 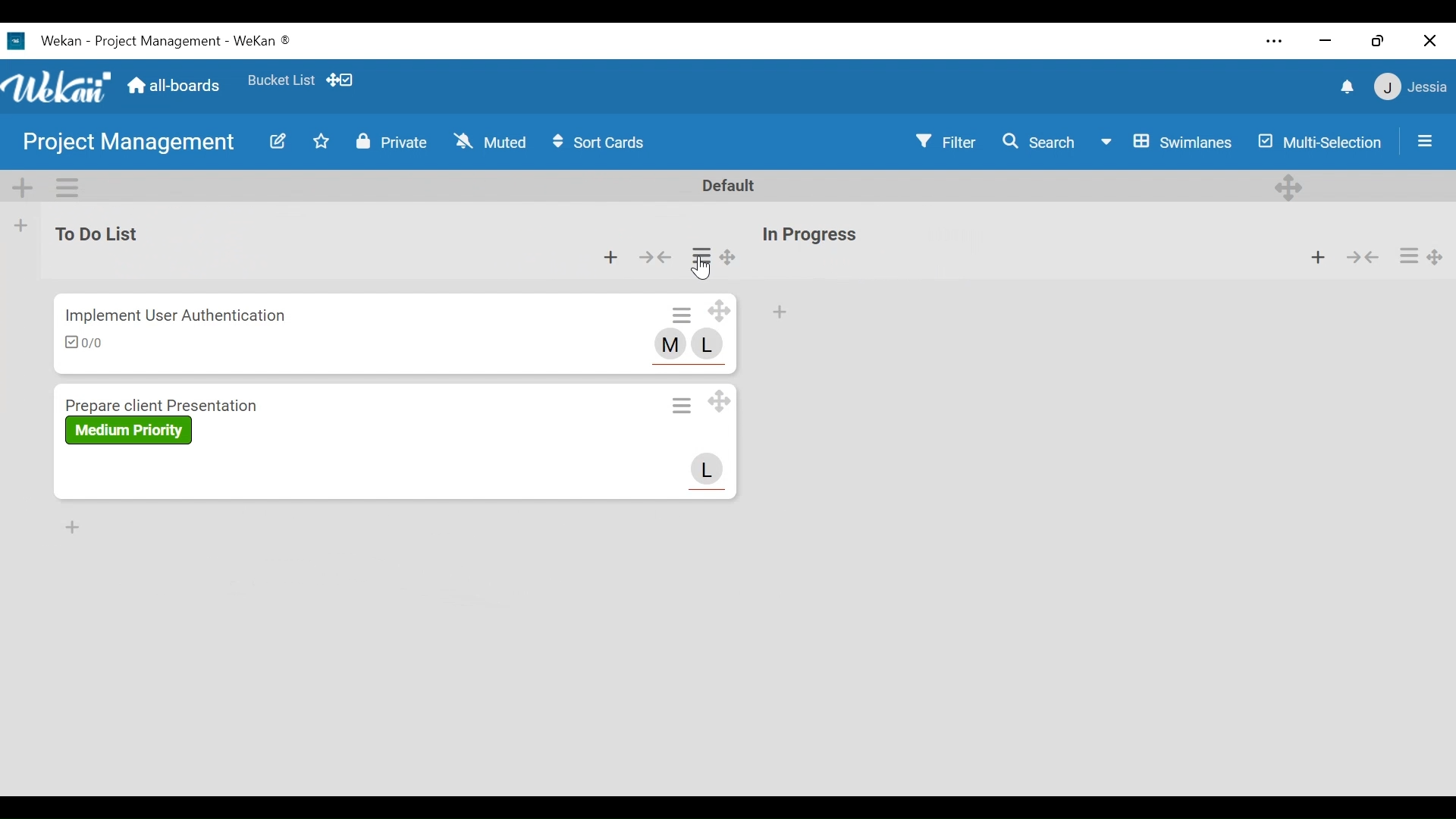 I want to click on Default, so click(x=731, y=187).